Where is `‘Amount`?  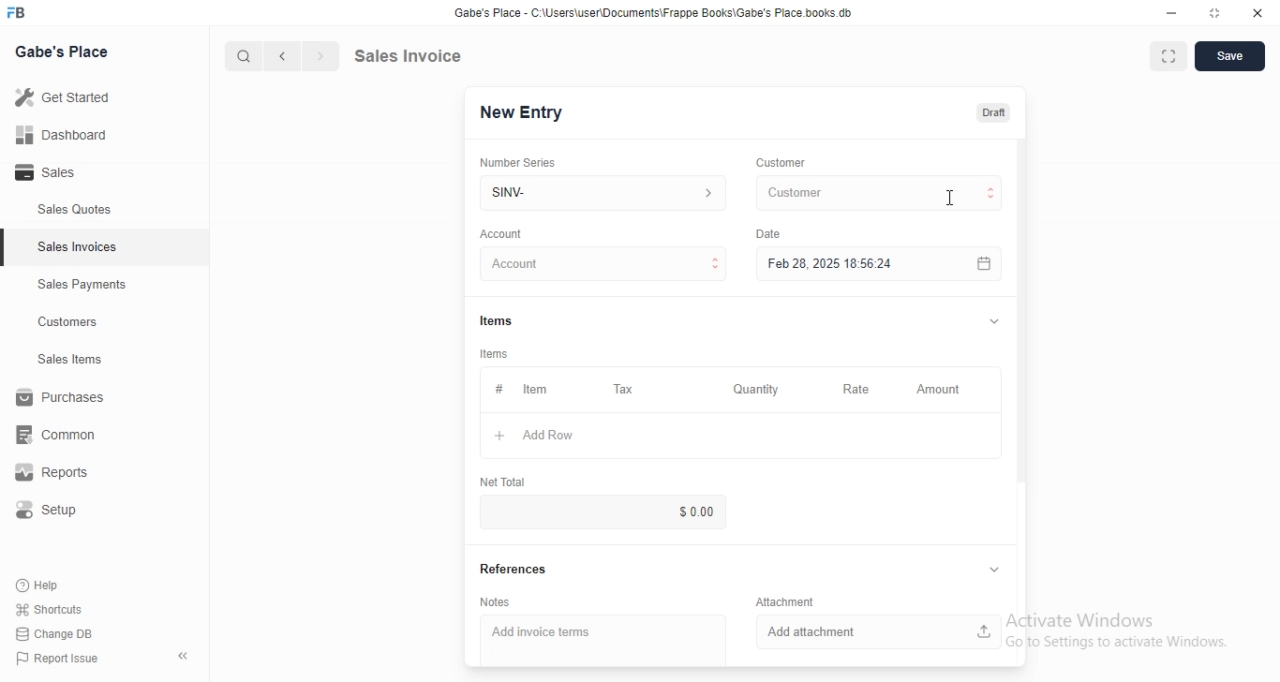
‘Amount is located at coordinates (940, 390).